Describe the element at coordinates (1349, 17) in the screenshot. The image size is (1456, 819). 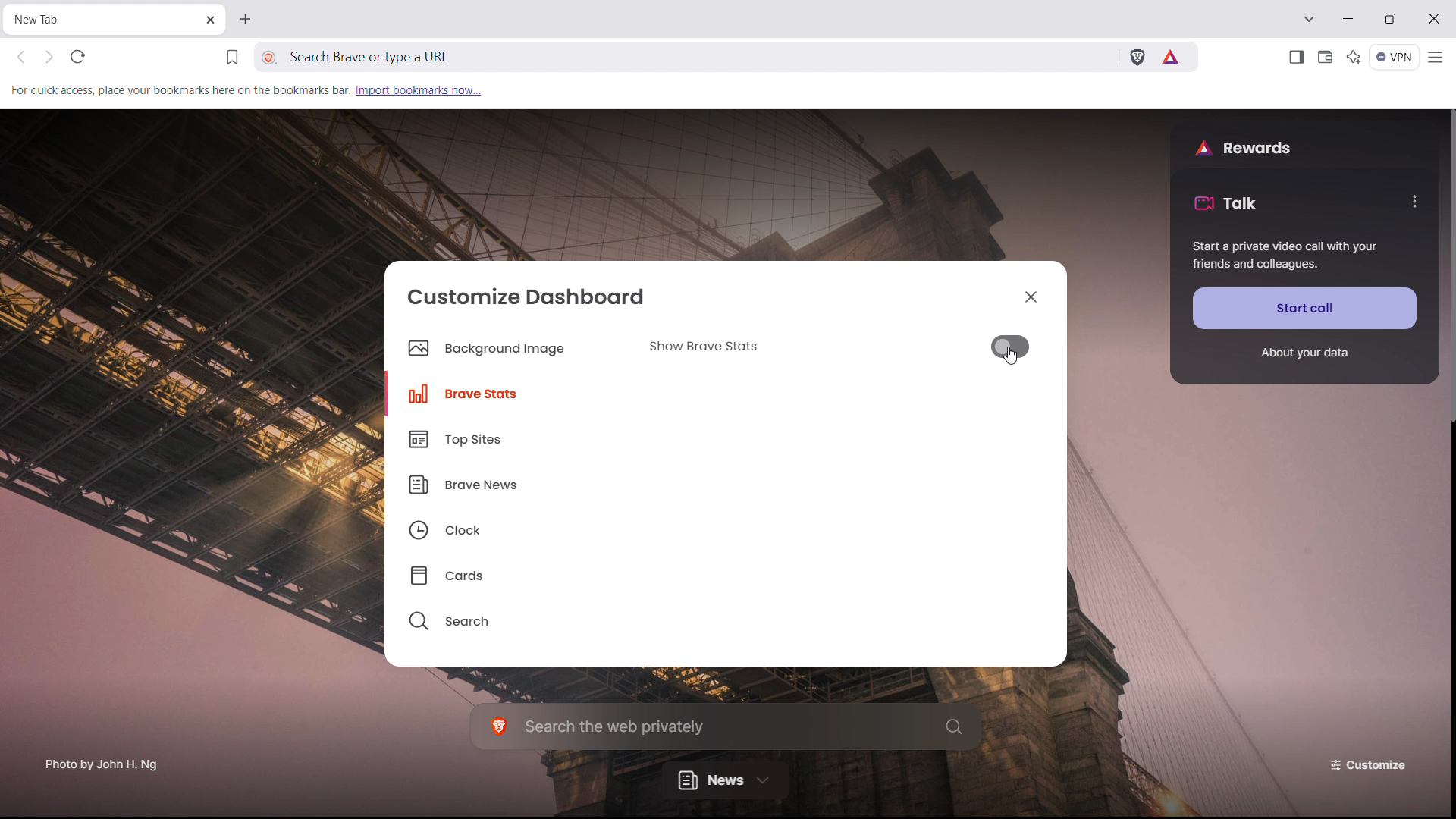
I see `minimize` at that location.